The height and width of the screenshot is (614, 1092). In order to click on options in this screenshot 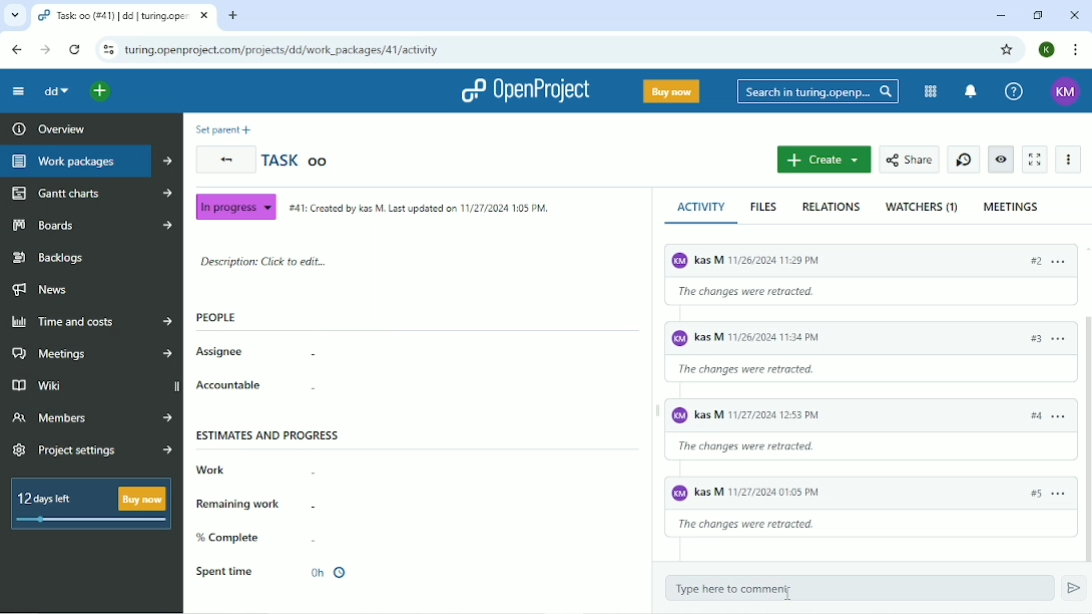, I will do `click(1057, 412)`.